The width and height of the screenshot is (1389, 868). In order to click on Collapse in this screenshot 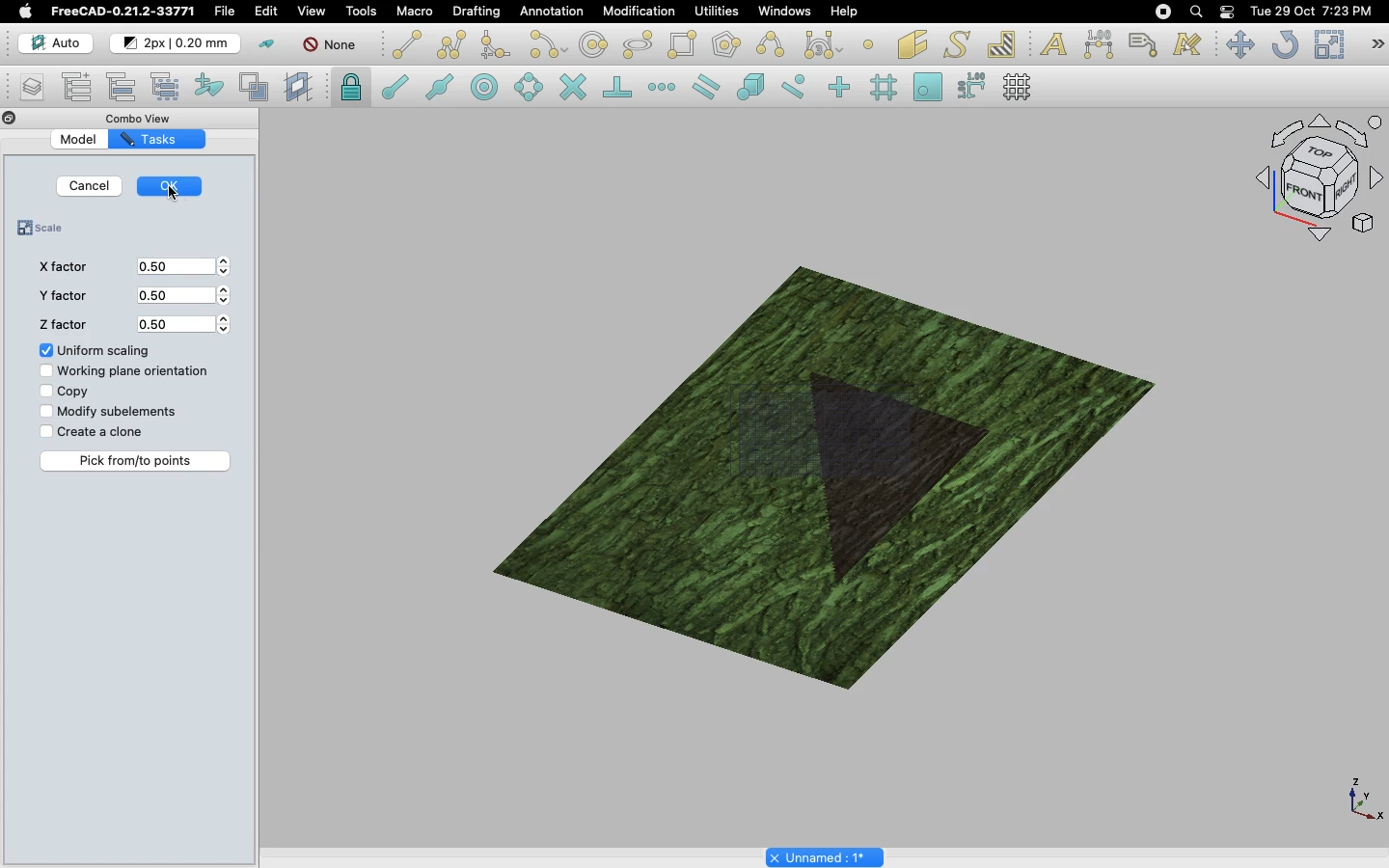, I will do `click(27, 119)`.